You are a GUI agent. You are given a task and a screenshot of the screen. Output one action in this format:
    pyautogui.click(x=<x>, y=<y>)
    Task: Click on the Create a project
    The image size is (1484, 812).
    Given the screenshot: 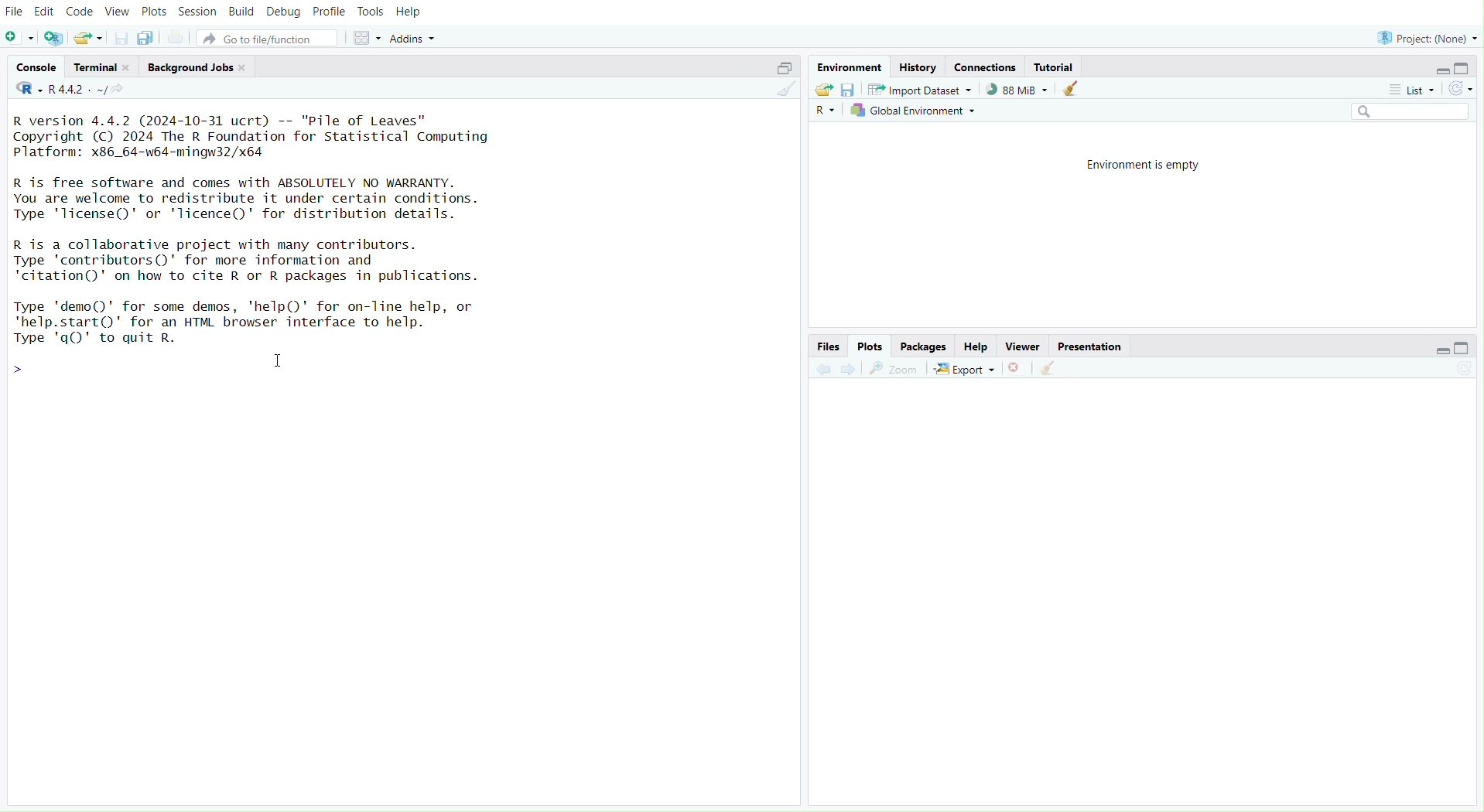 What is the action you would take?
    pyautogui.click(x=55, y=35)
    